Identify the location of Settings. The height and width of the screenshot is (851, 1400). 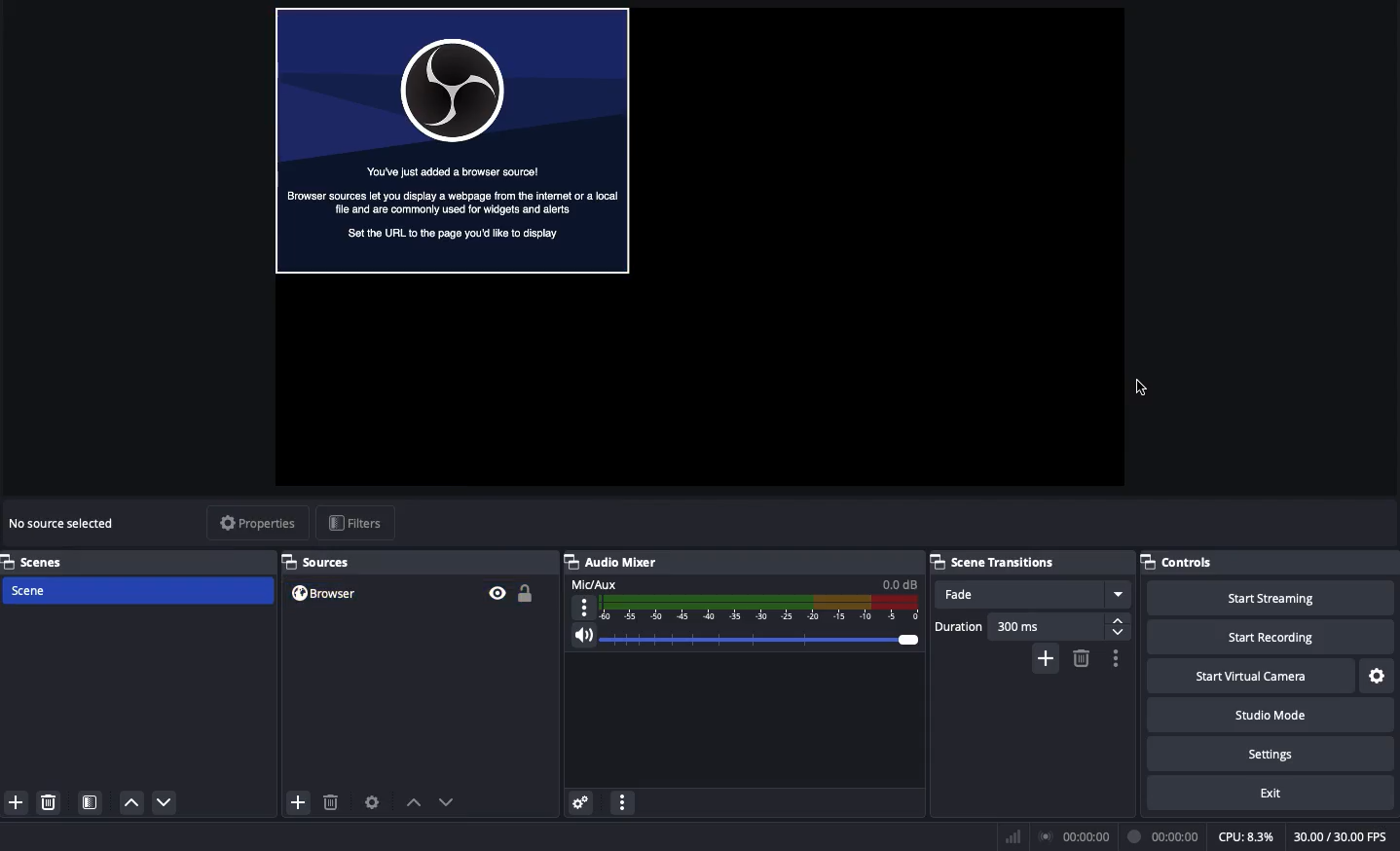
(1380, 676).